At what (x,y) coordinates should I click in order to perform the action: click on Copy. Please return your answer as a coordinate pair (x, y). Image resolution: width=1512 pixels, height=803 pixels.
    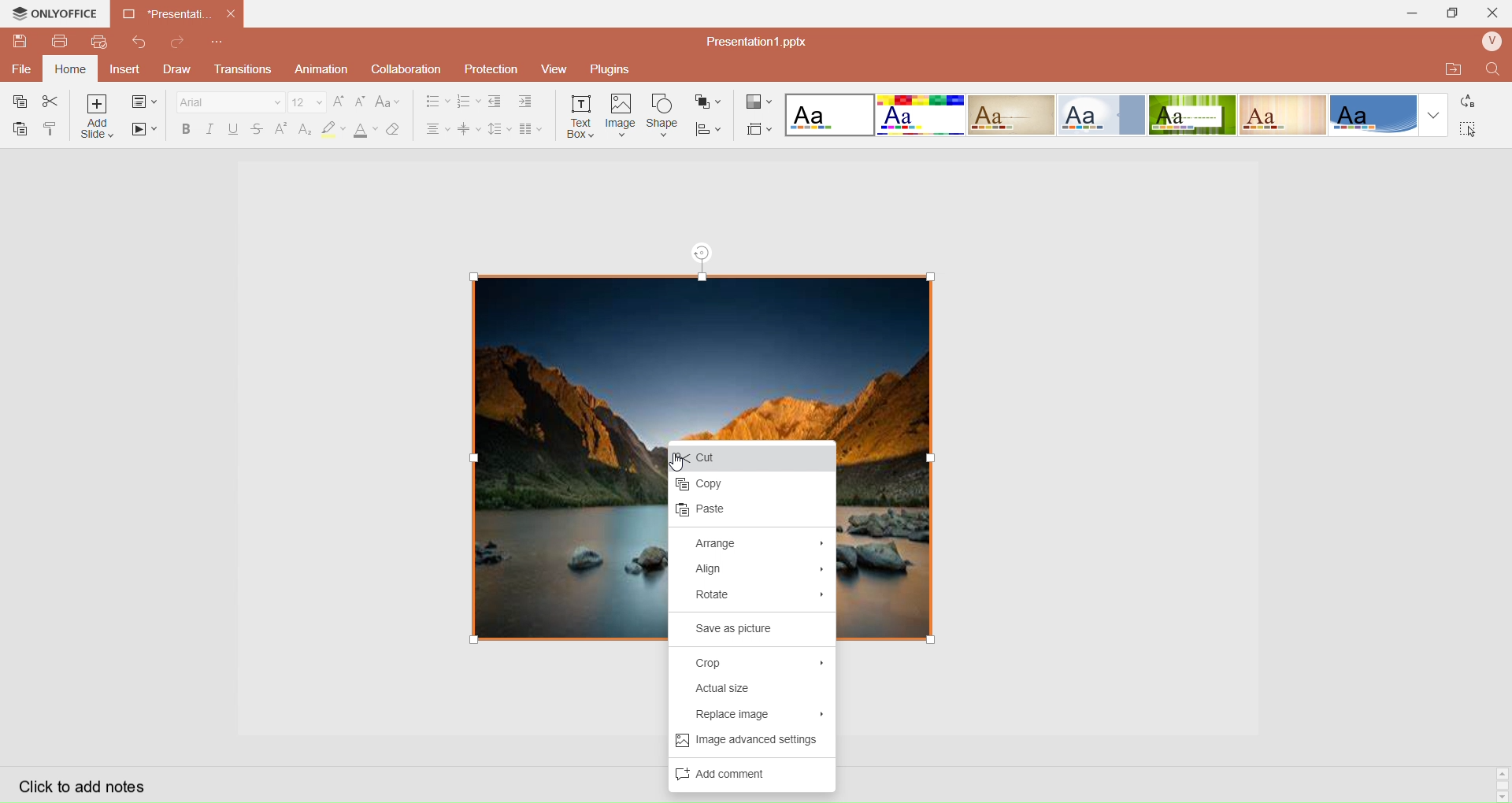
    Looking at the image, I should click on (20, 102).